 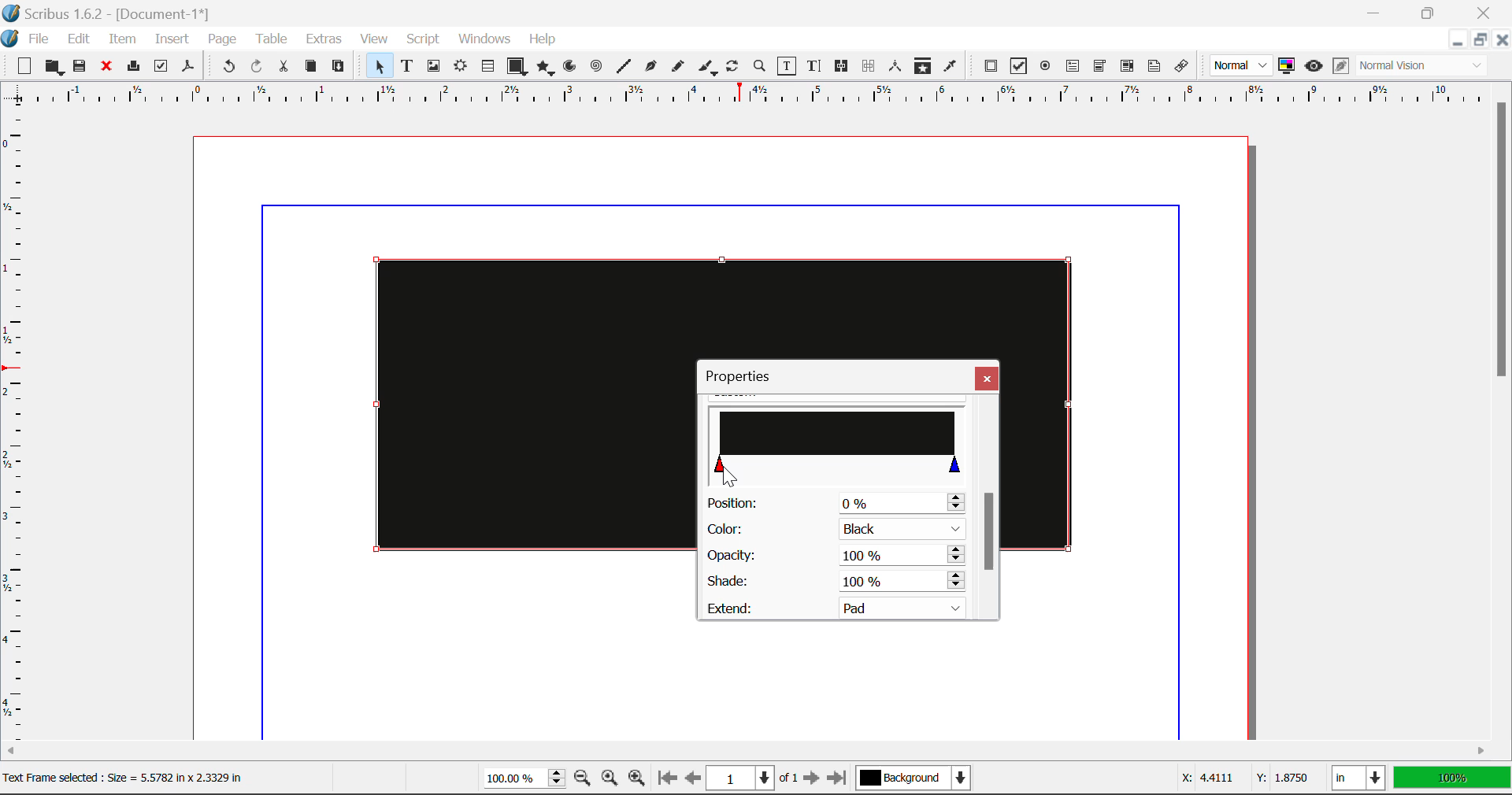 I want to click on Edit in Preview Mode, so click(x=1341, y=66).